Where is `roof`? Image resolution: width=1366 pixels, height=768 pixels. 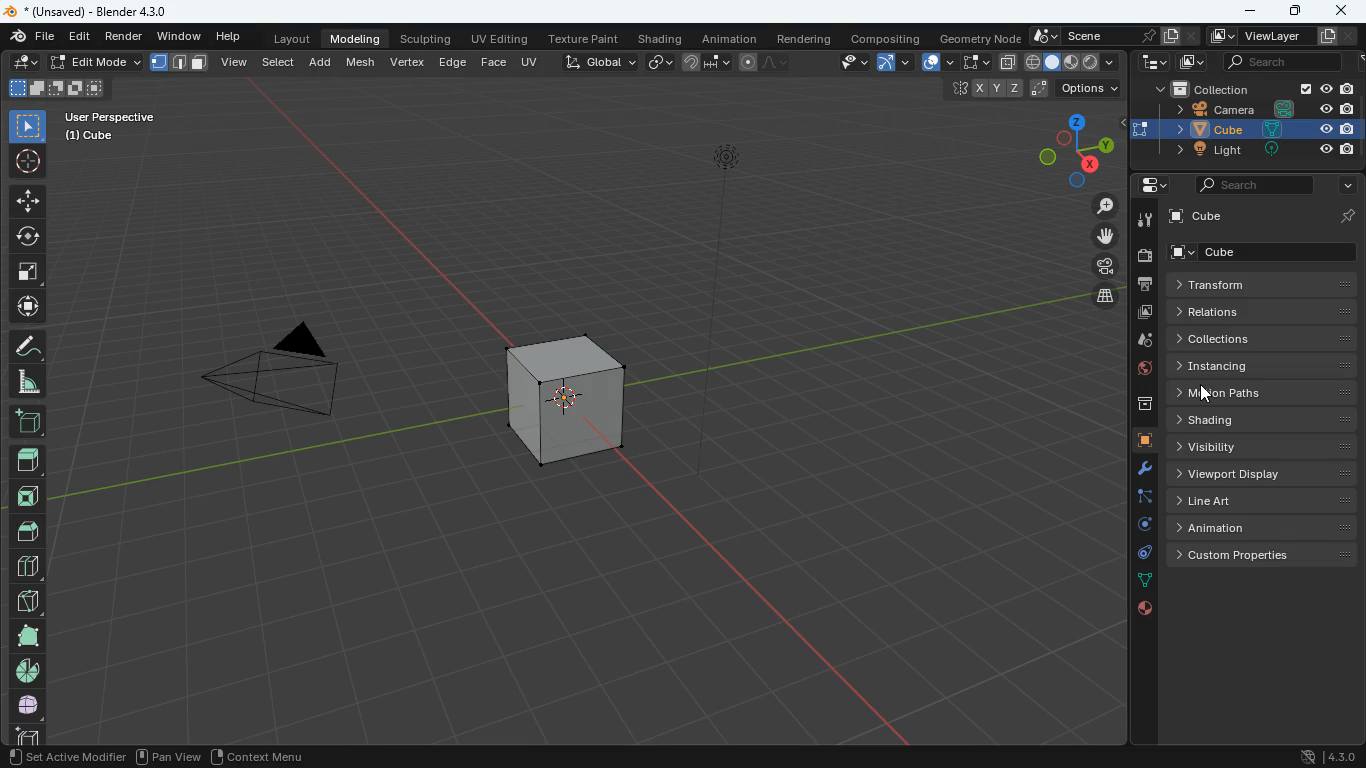
roof is located at coordinates (30, 531).